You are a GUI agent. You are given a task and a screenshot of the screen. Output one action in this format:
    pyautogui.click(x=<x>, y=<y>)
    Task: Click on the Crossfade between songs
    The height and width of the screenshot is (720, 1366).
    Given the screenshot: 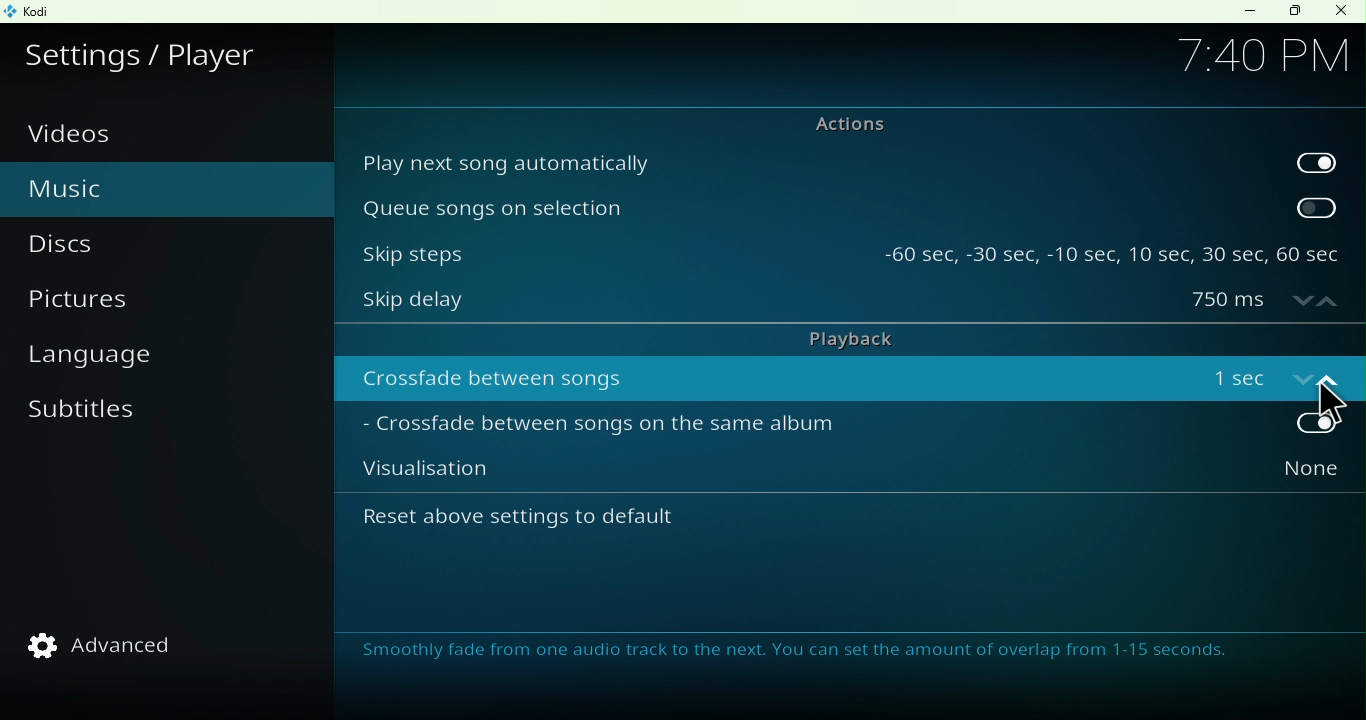 What is the action you would take?
    pyautogui.click(x=765, y=377)
    